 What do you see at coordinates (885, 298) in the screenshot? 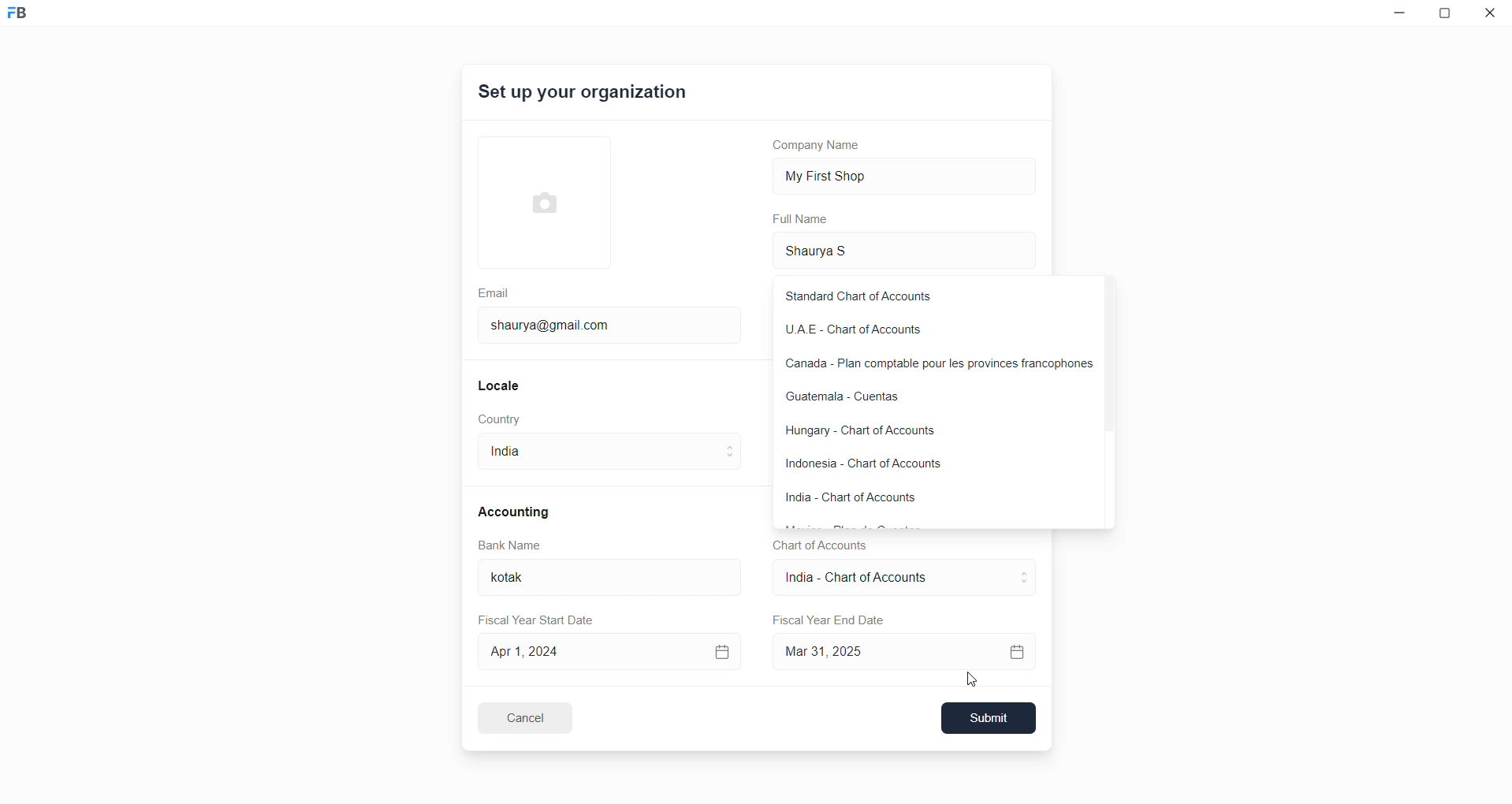
I see `Standard Chart of Accounts` at bounding box center [885, 298].